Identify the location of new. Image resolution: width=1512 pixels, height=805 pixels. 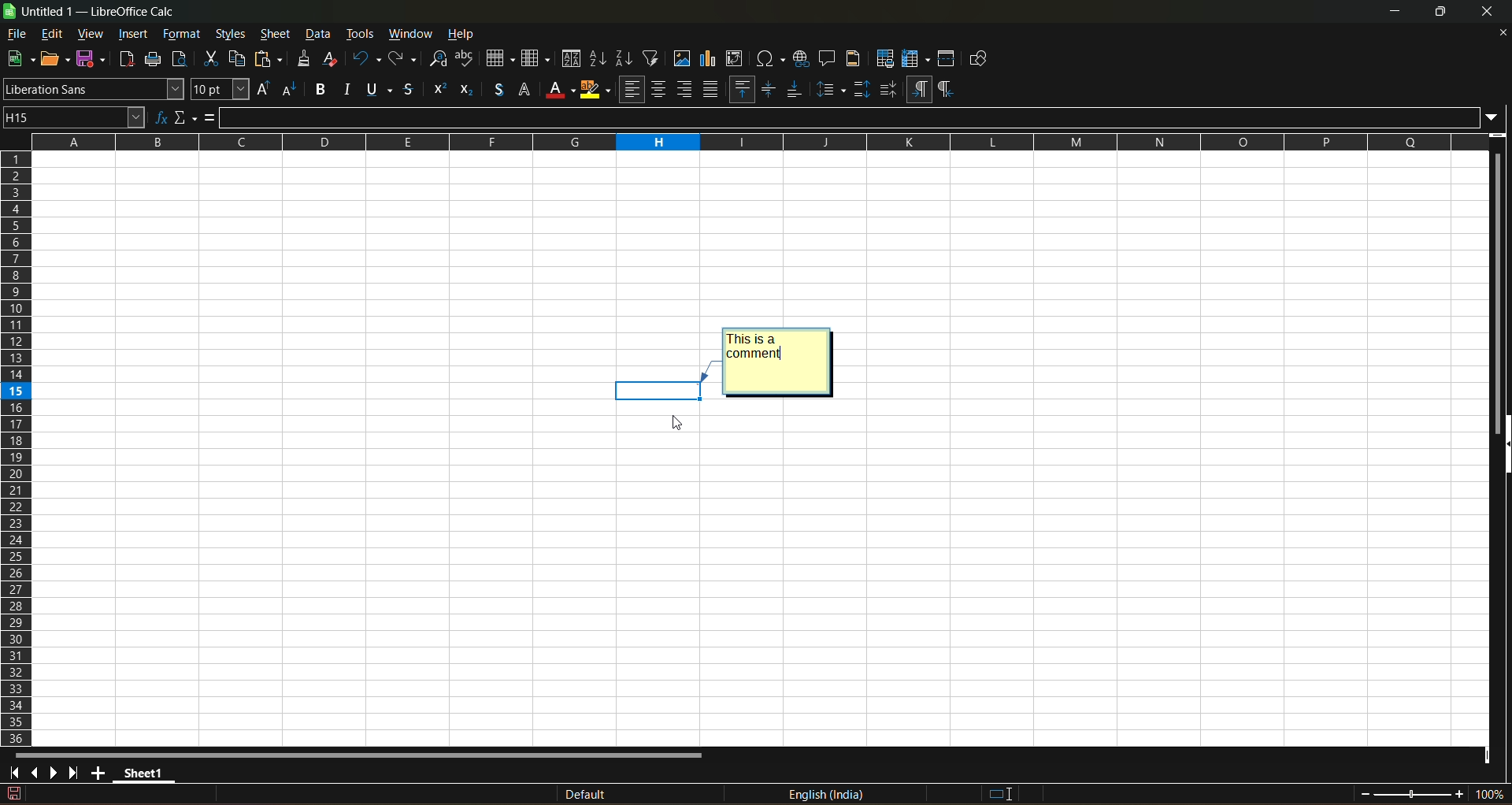
(21, 58).